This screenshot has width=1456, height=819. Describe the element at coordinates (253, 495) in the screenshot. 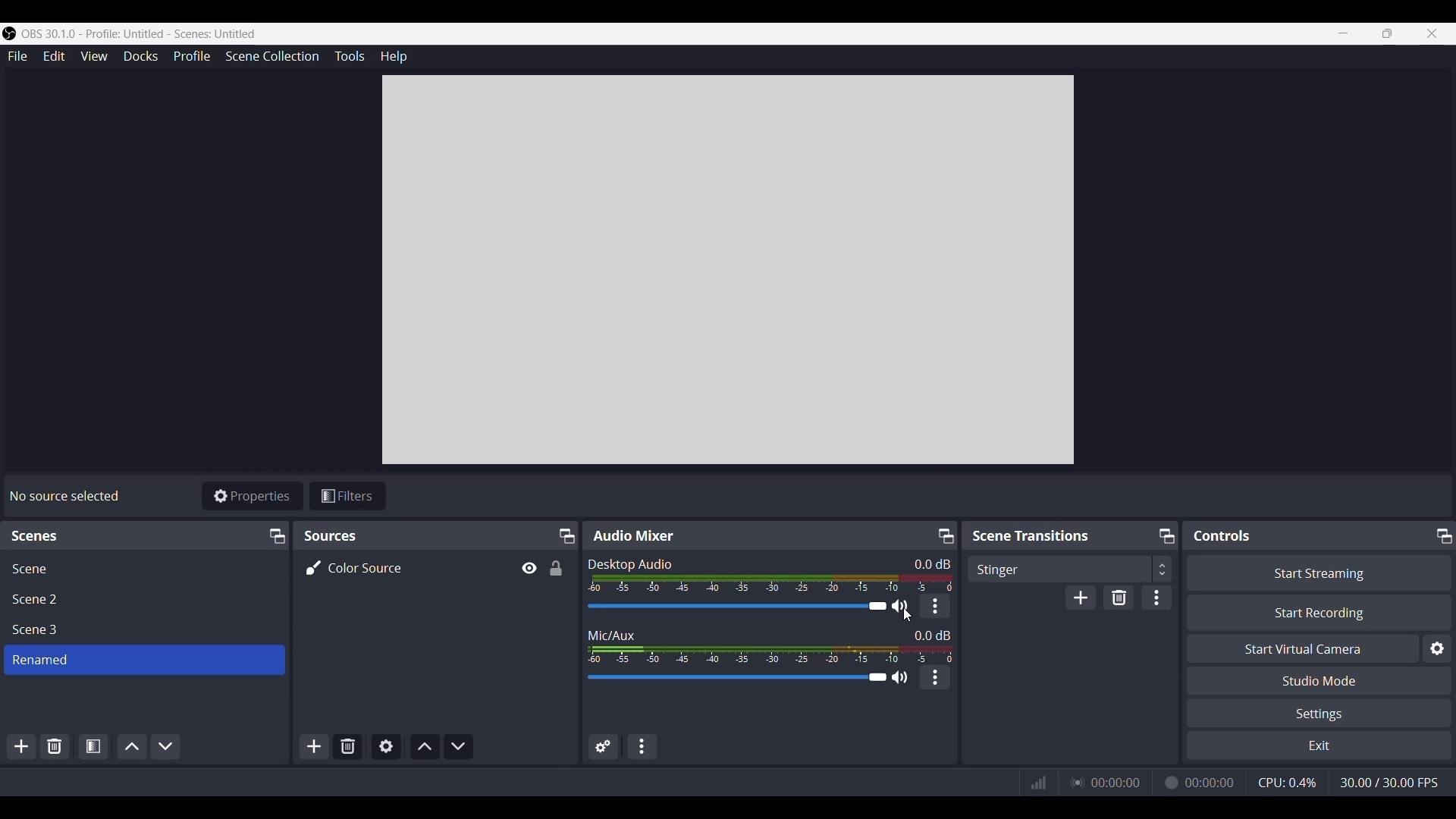

I see `Properties` at that location.